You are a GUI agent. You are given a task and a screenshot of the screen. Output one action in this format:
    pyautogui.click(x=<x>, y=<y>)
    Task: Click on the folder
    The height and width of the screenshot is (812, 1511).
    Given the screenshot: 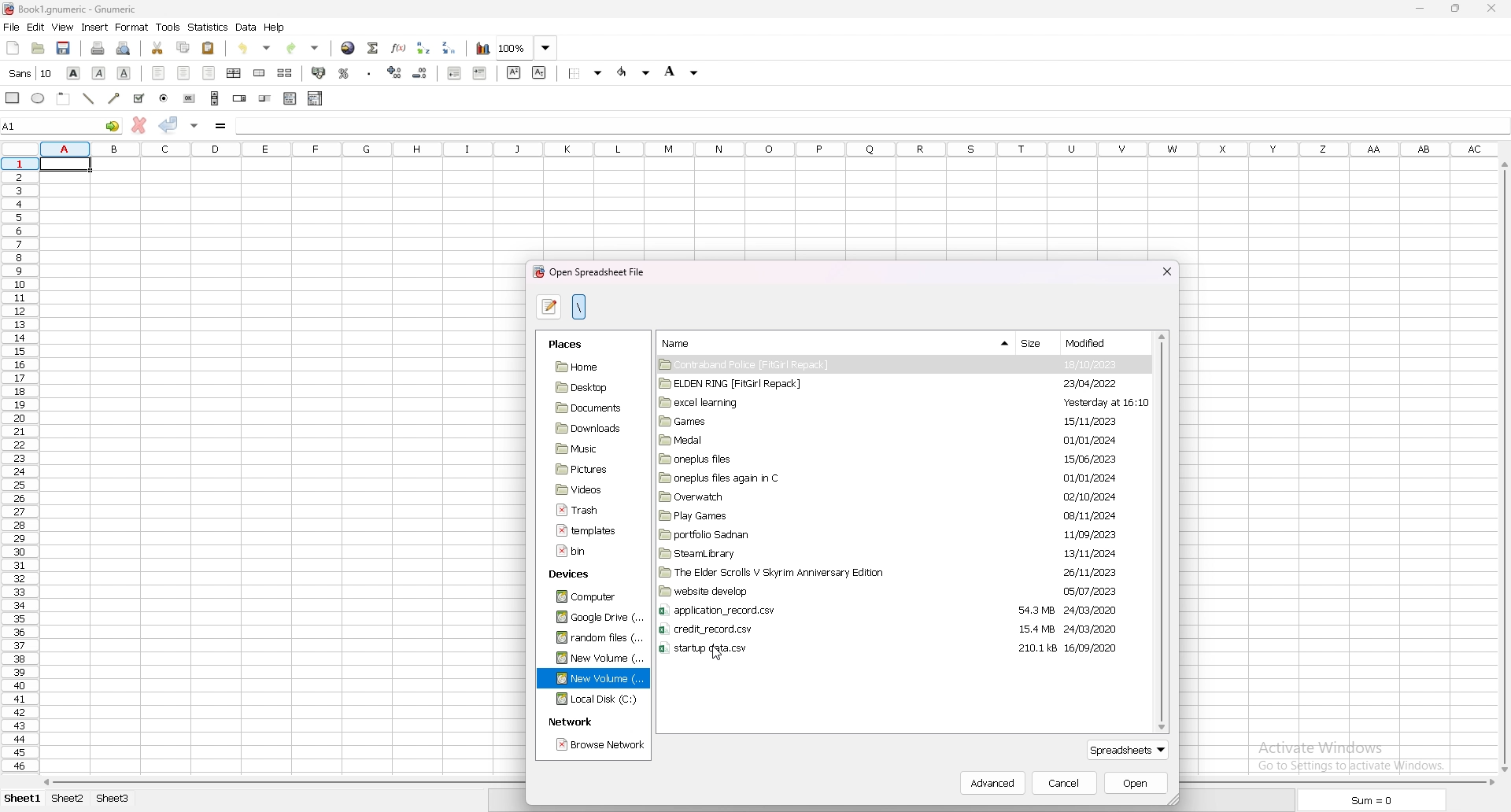 What is the action you would take?
    pyautogui.click(x=586, y=429)
    